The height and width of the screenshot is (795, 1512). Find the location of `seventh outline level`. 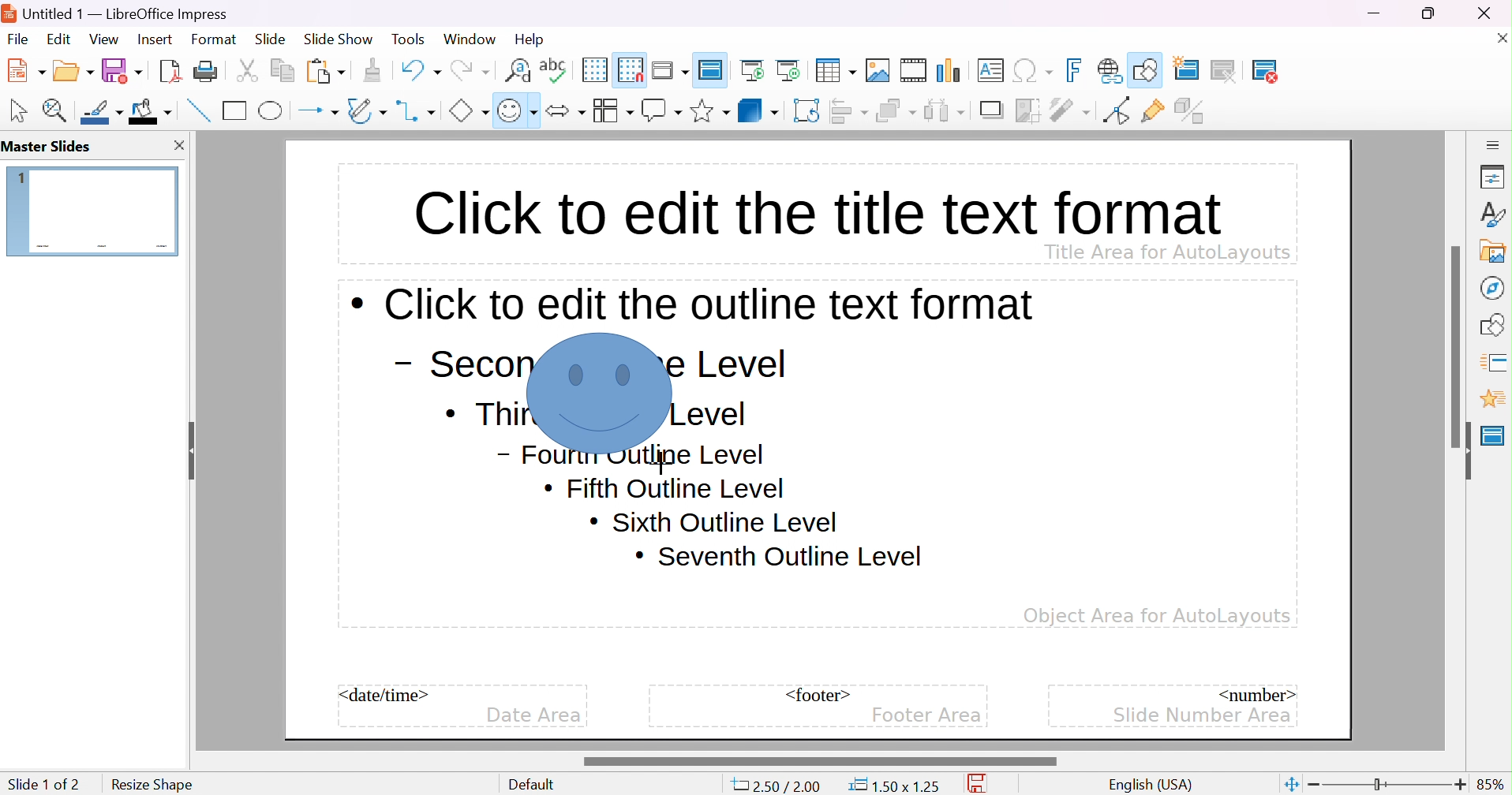

seventh outline level is located at coordinates (780, 557).